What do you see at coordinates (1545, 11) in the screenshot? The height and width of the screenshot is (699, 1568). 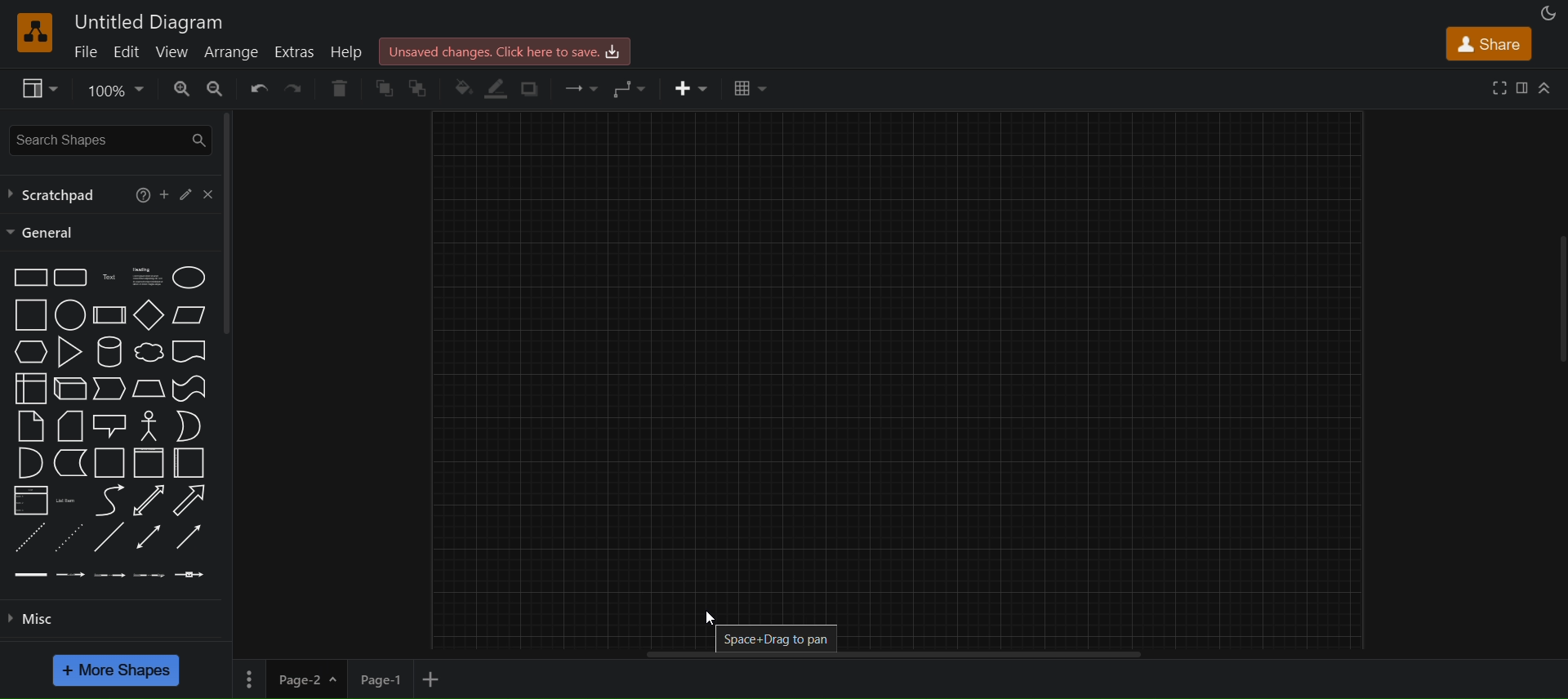 I see `appearance` at bounding box center [1545, 11].